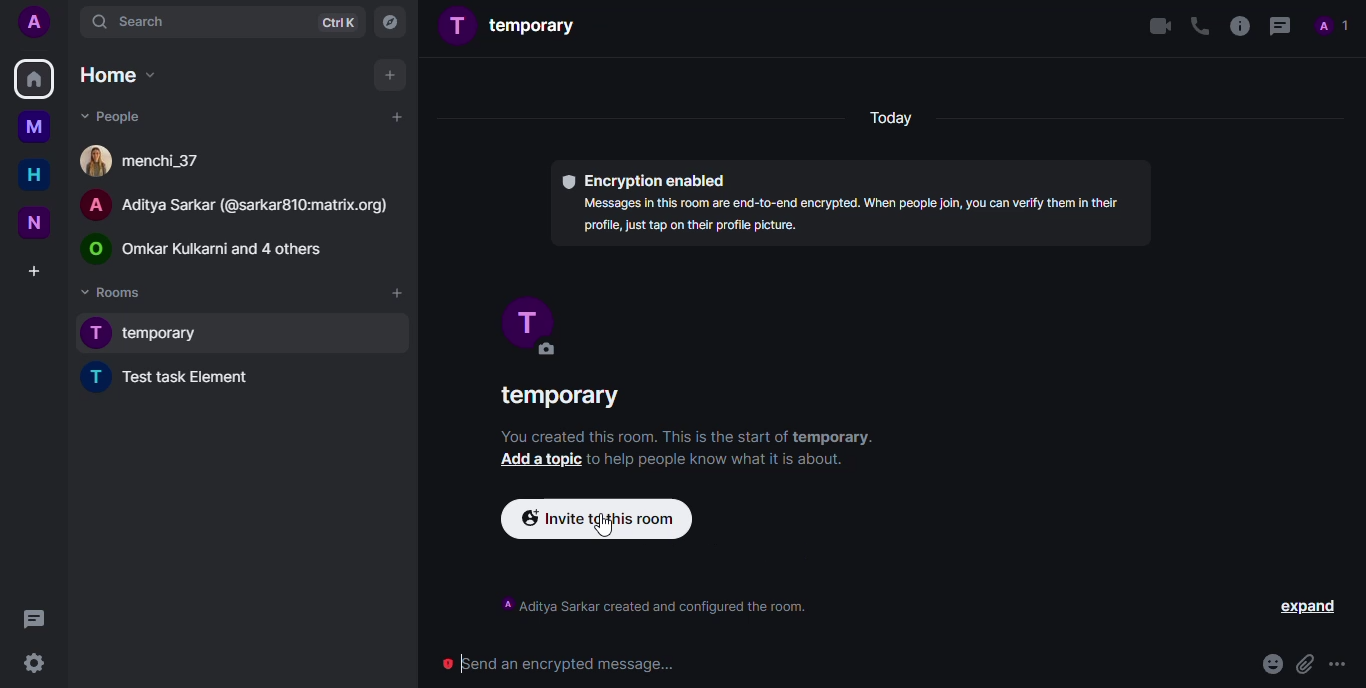  Describe the element at coordinates (207, 252) in the screenshot. I see `O Omar Kulkarni and 4 others` at that location.